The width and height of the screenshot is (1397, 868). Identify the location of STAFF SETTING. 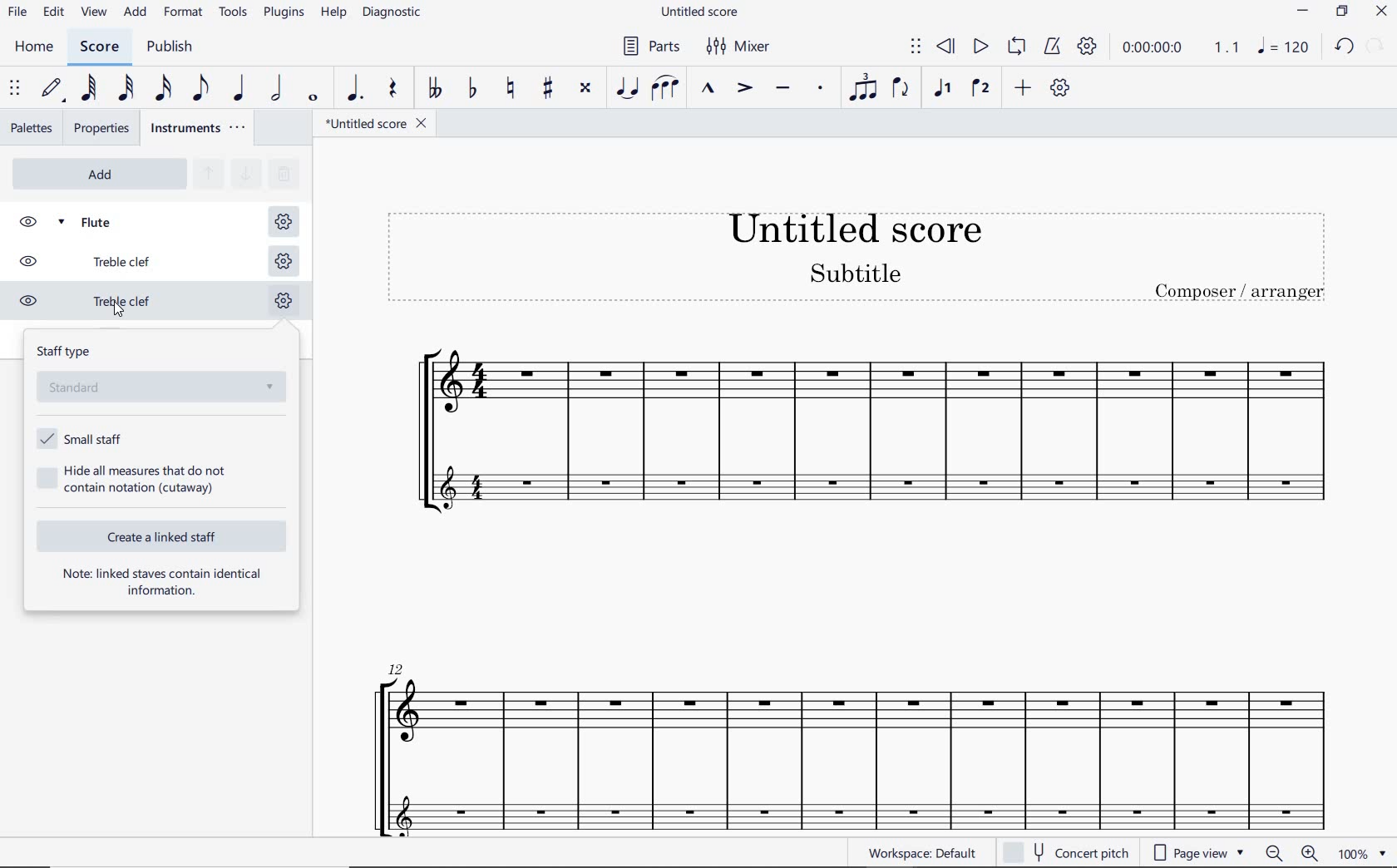
(283, 303).